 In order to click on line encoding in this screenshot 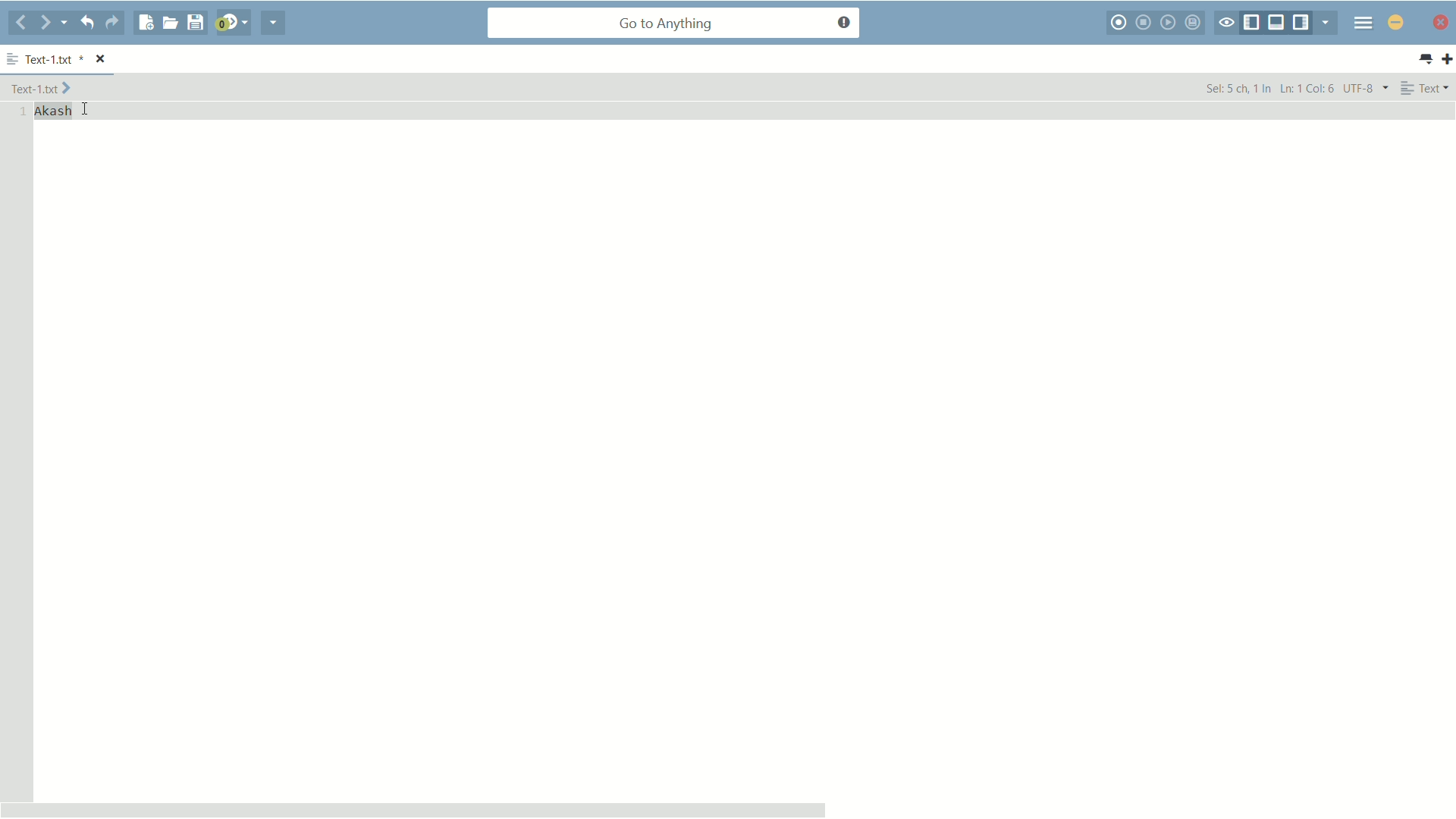, I will do `click(1367, 87)`.